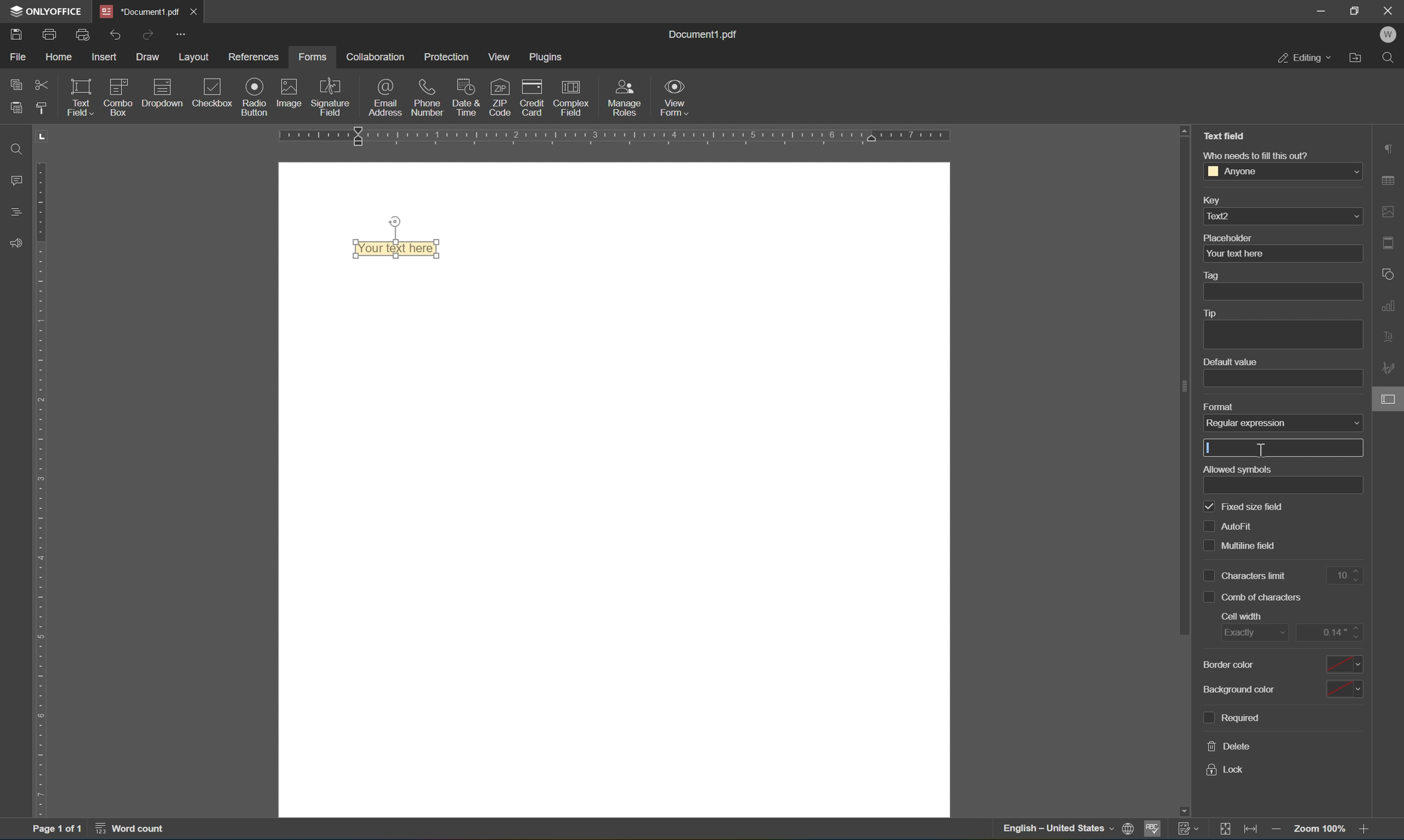  I want to click on layout, so click(195, 57).